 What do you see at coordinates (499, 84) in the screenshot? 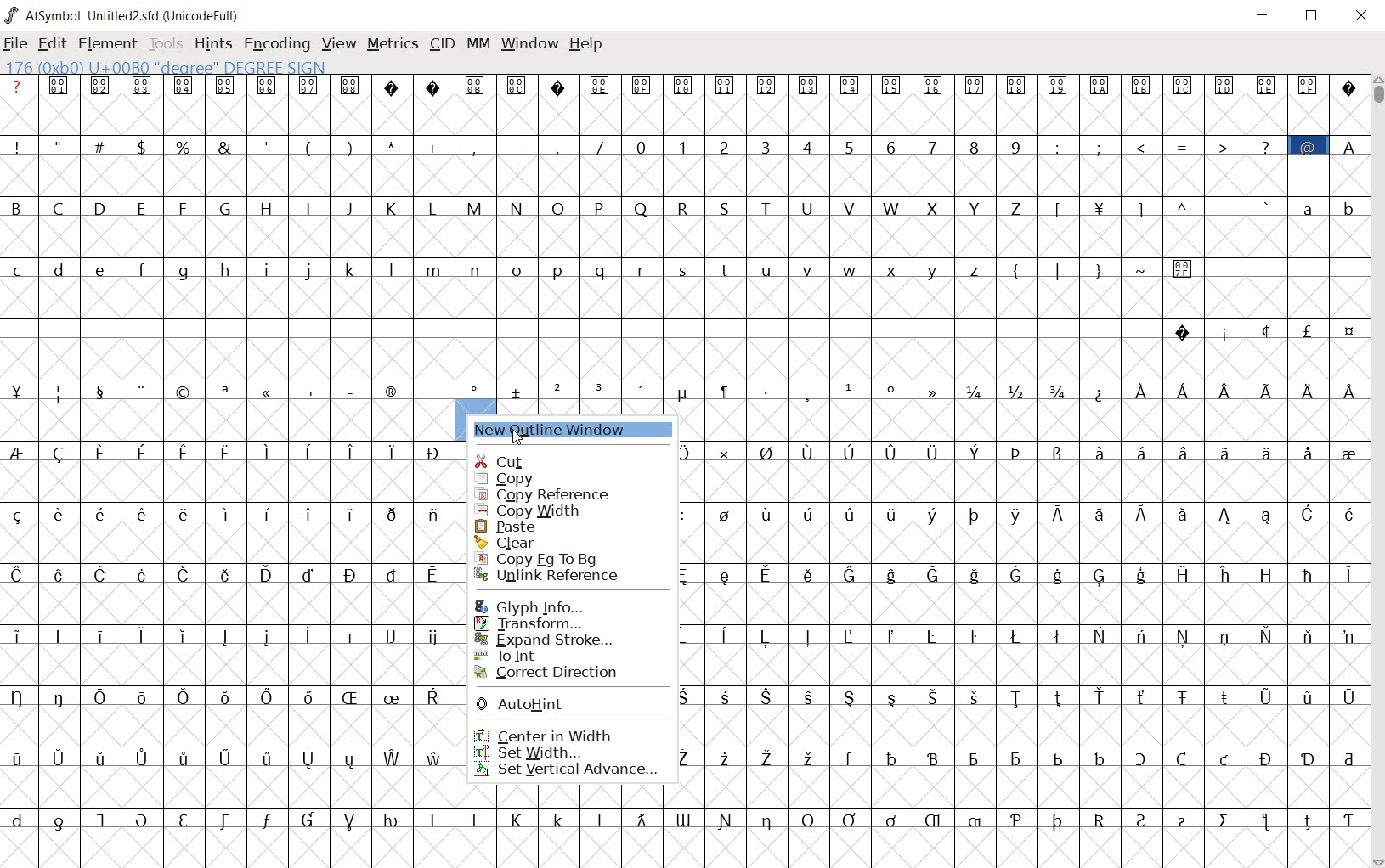
I see `unicode code points` at bounding box center [499, 84].